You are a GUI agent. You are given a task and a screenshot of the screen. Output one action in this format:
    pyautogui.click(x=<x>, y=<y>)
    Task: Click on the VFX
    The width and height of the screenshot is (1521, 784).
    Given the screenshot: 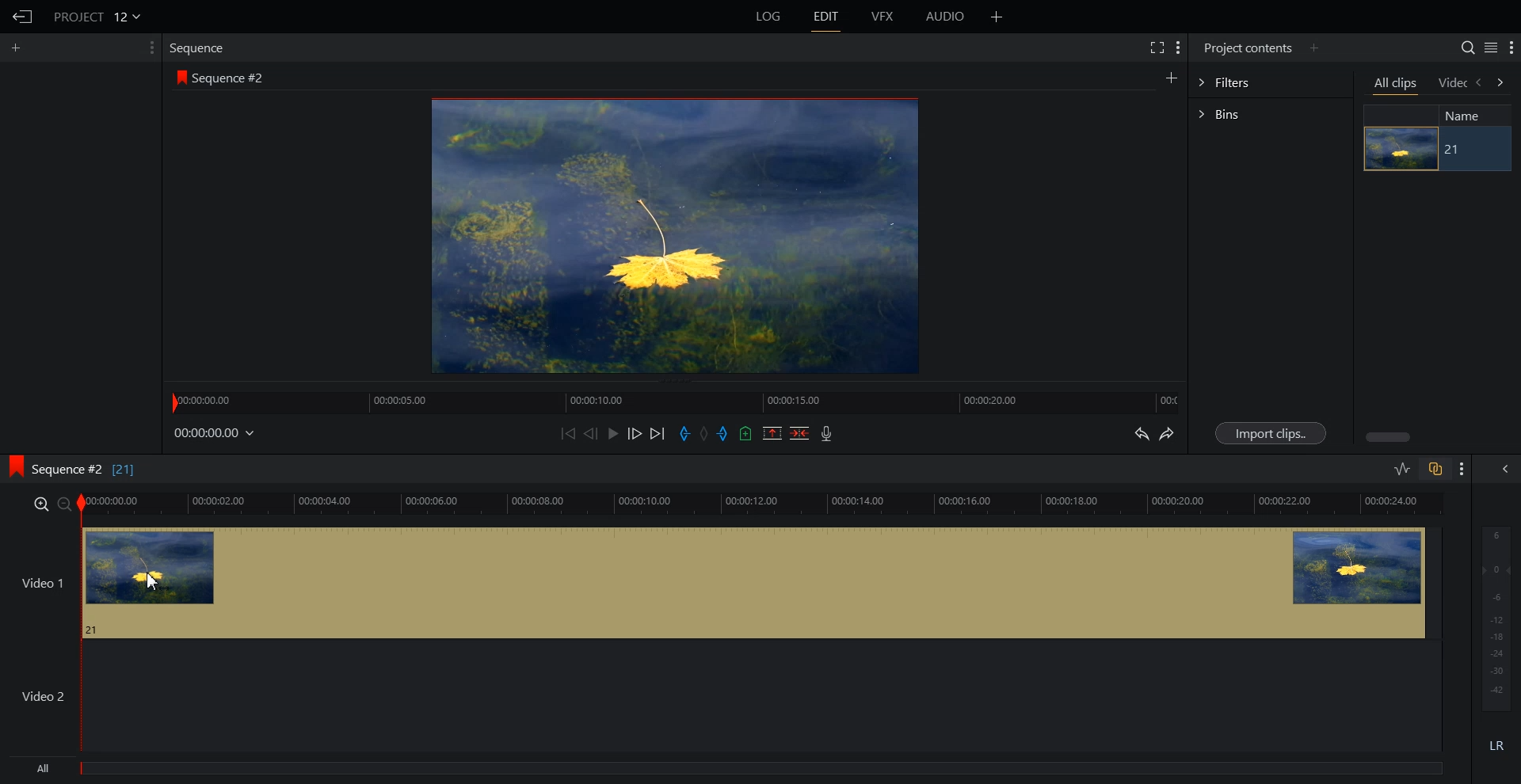 What is the action you would take?
    pyautogui.click(x=883, y=17)
    